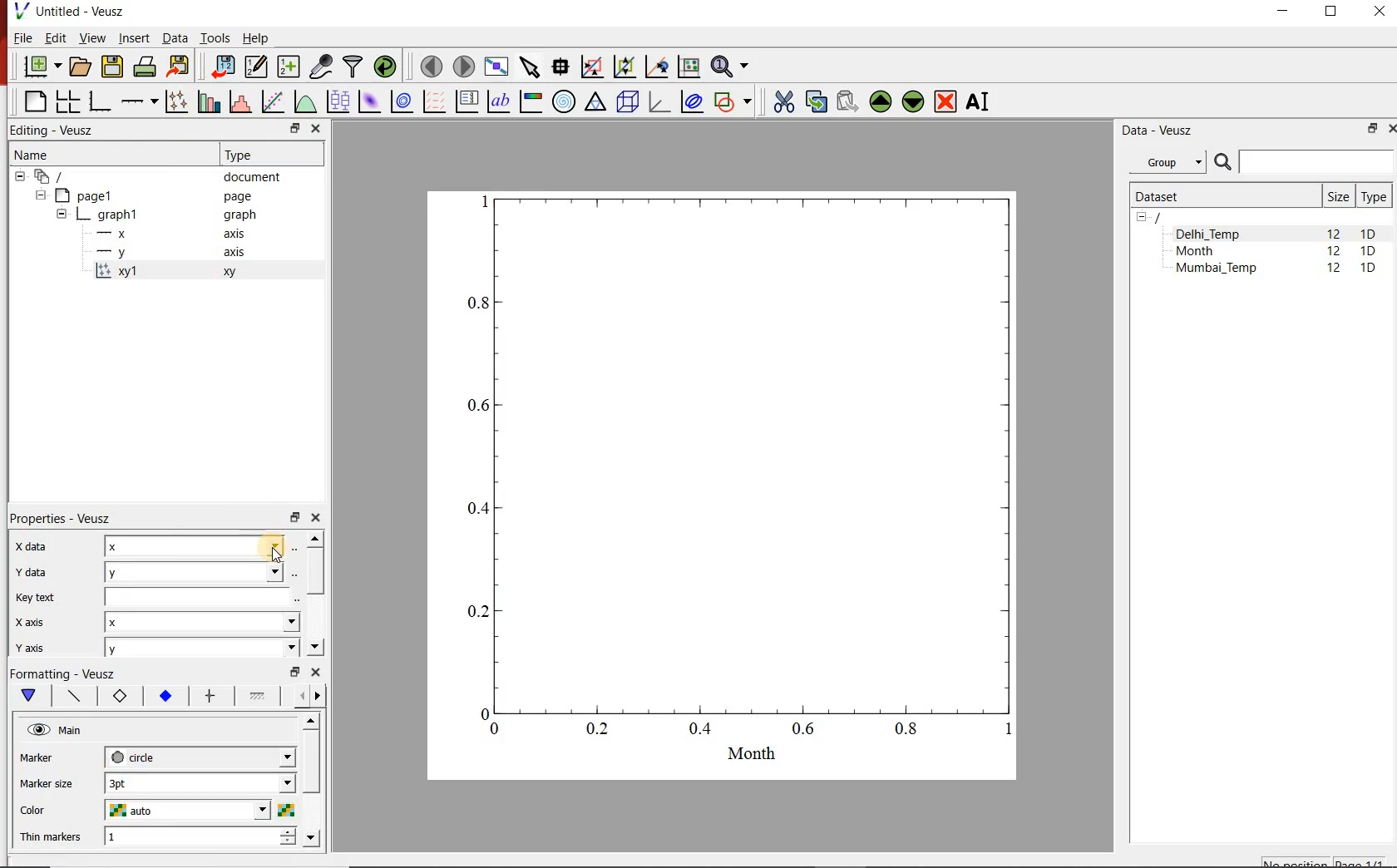 This screenshot has width=1397, height=868. I want to click on Ternary graph, so click(595, 103).